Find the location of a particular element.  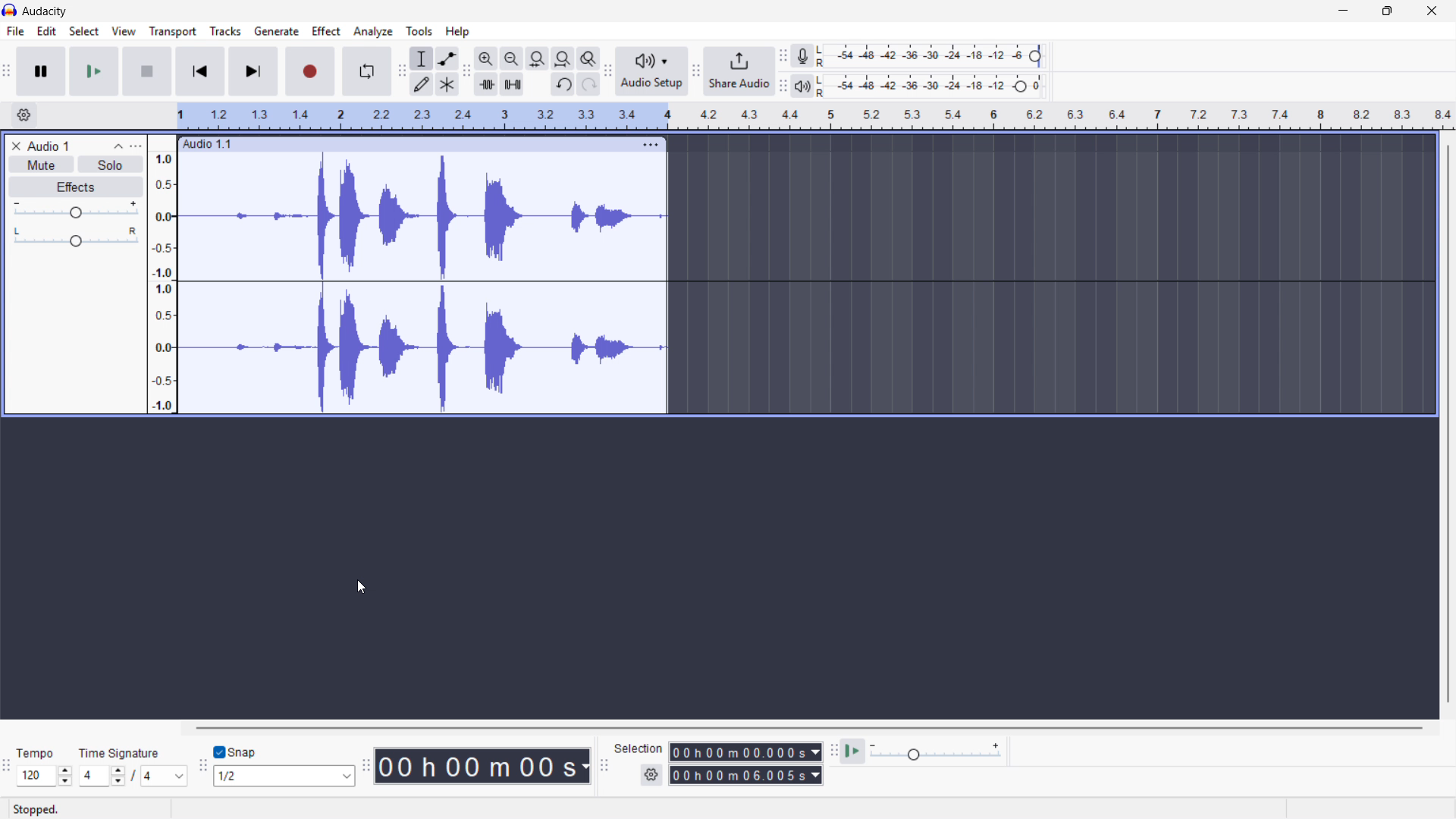

Remove track  is located at coordinates (17, 146).